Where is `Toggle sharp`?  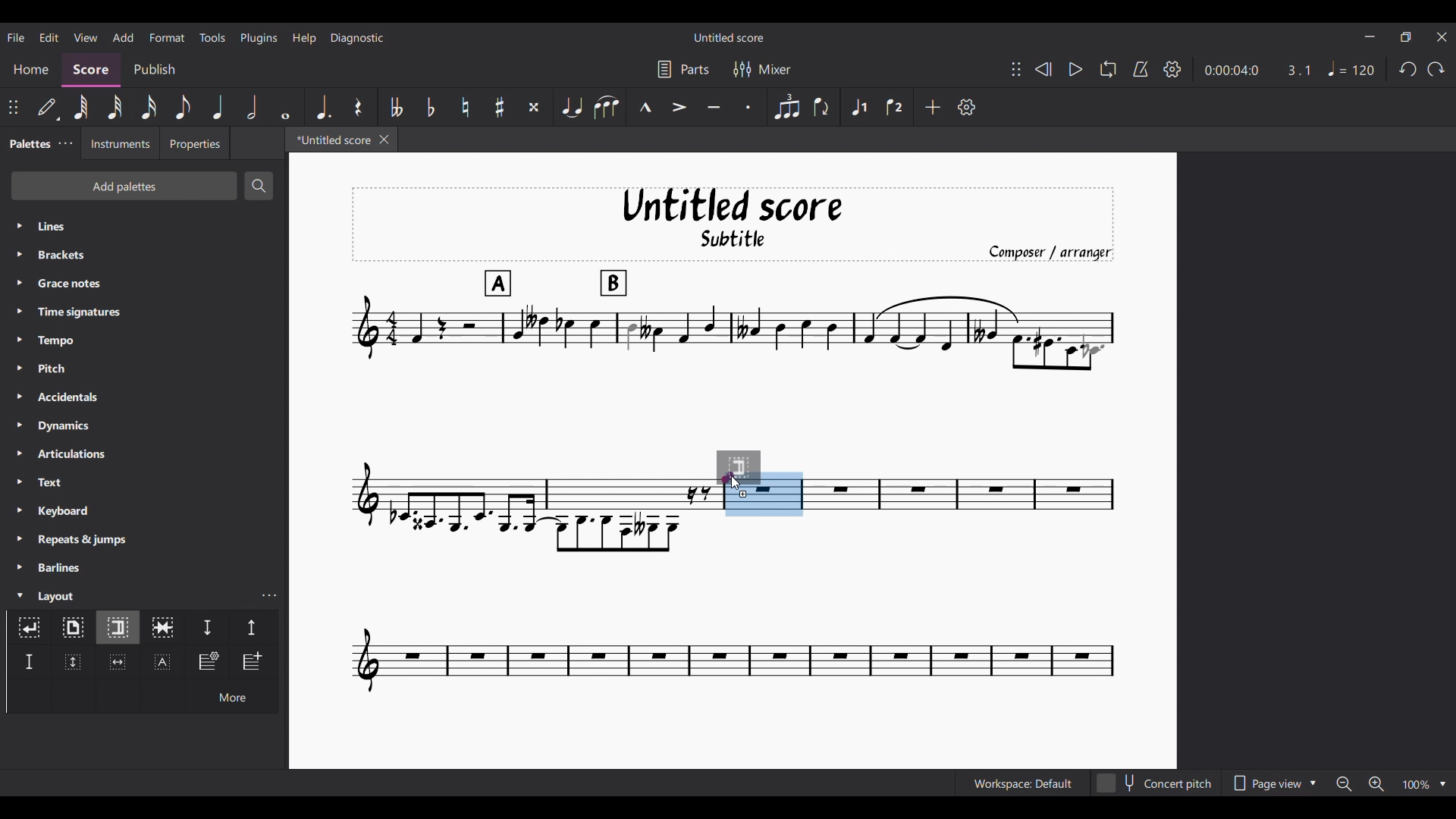
Toggle sharp is located at coordinates (499, 107).